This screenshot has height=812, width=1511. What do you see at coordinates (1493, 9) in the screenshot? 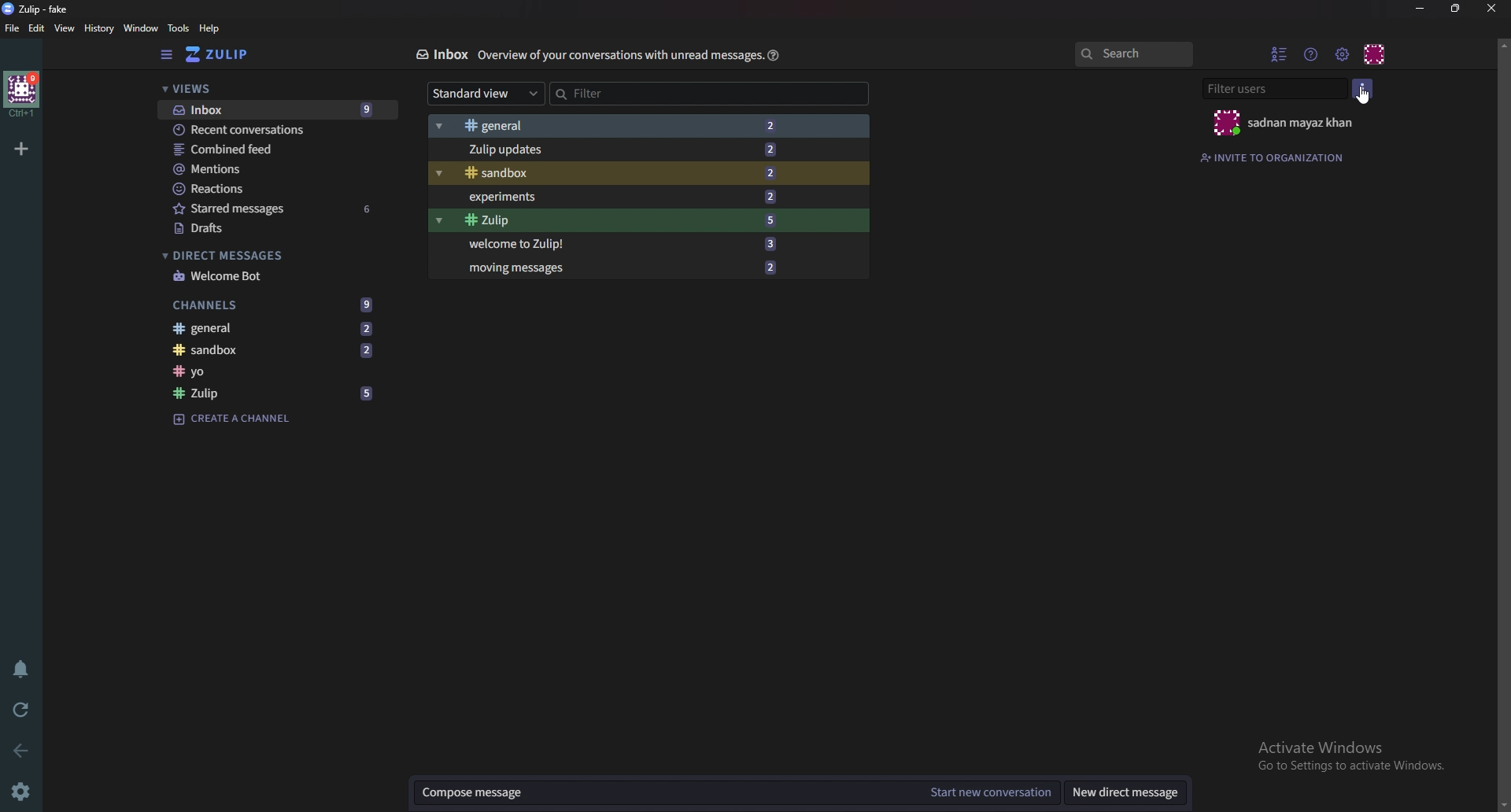
I see `close` at bounding box center [1493, 9].